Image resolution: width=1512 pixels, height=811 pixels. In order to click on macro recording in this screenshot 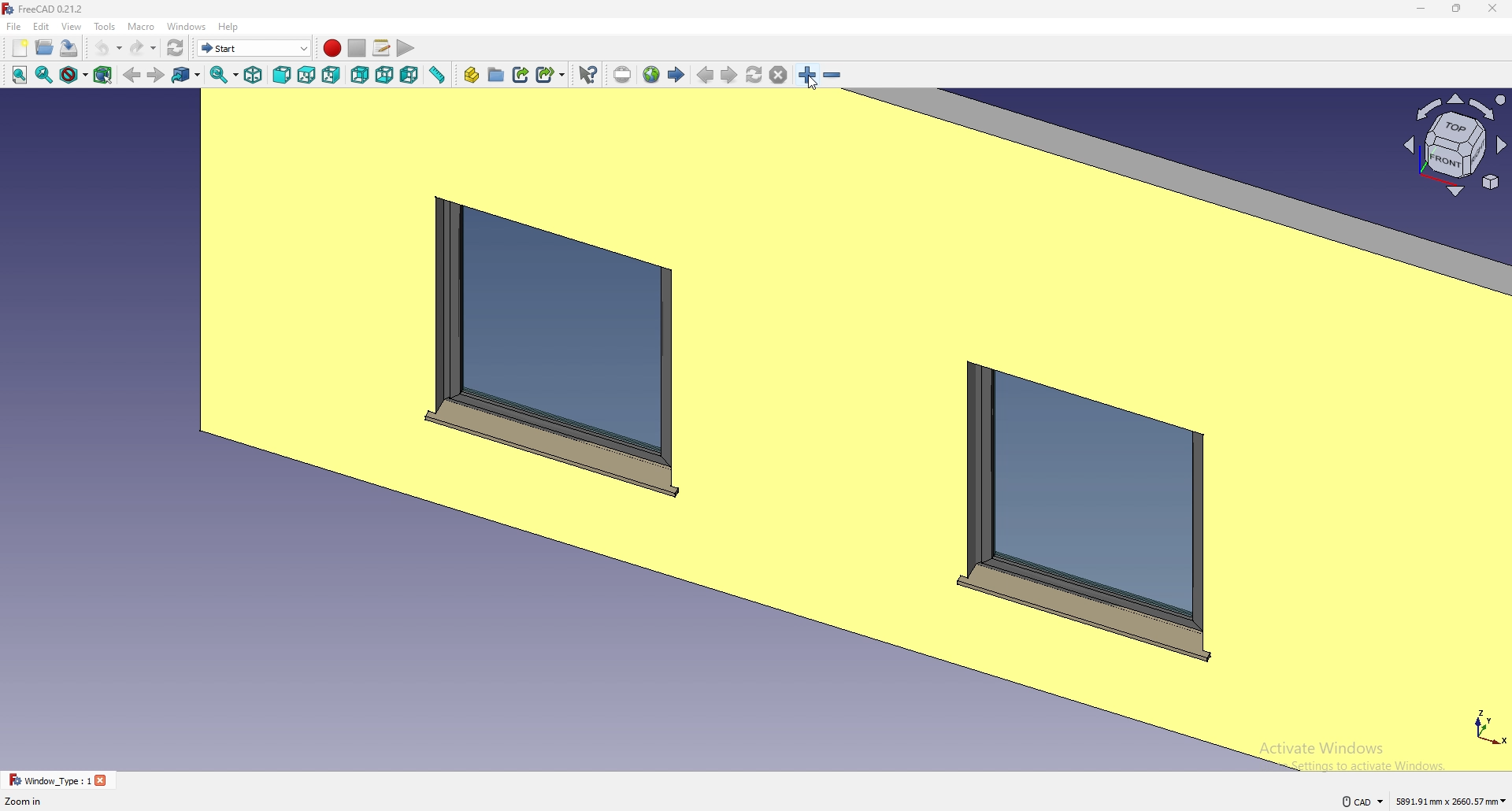, I will do `click(332, 48)`.